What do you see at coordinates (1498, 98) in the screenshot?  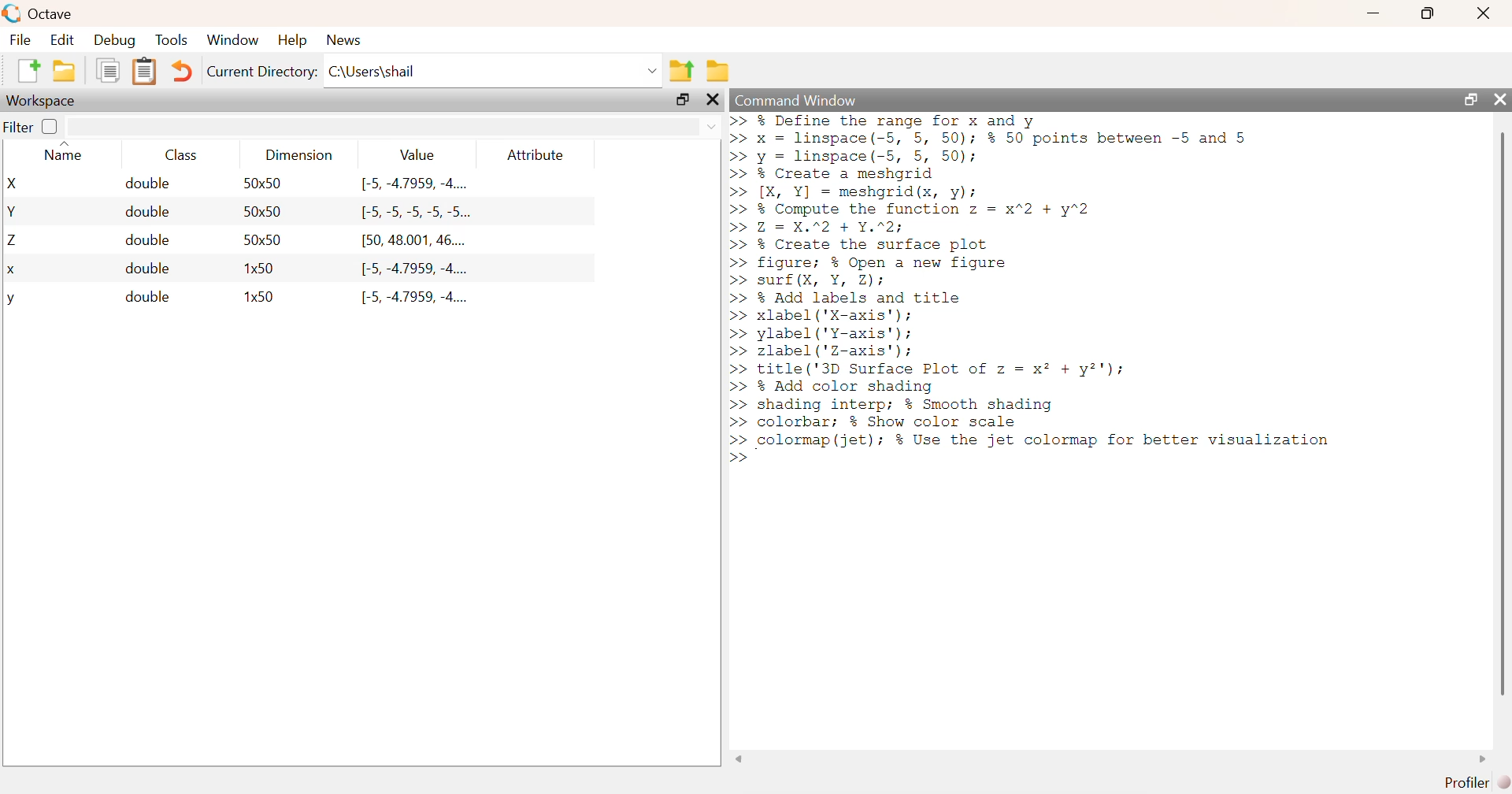 I see `close` at bounding box center [1498, 98].